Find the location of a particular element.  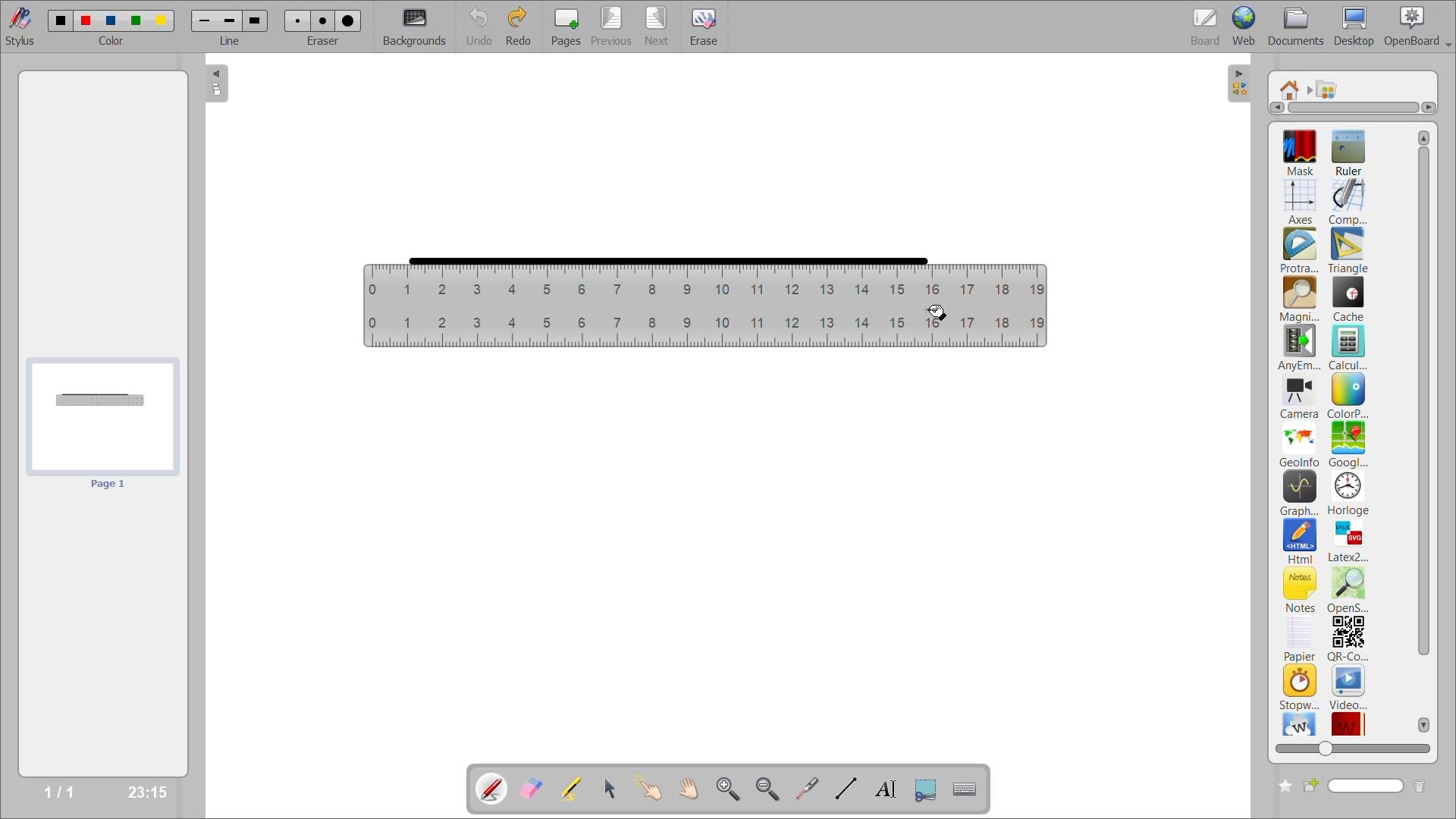

collapse is located at coordinates (218, 85).